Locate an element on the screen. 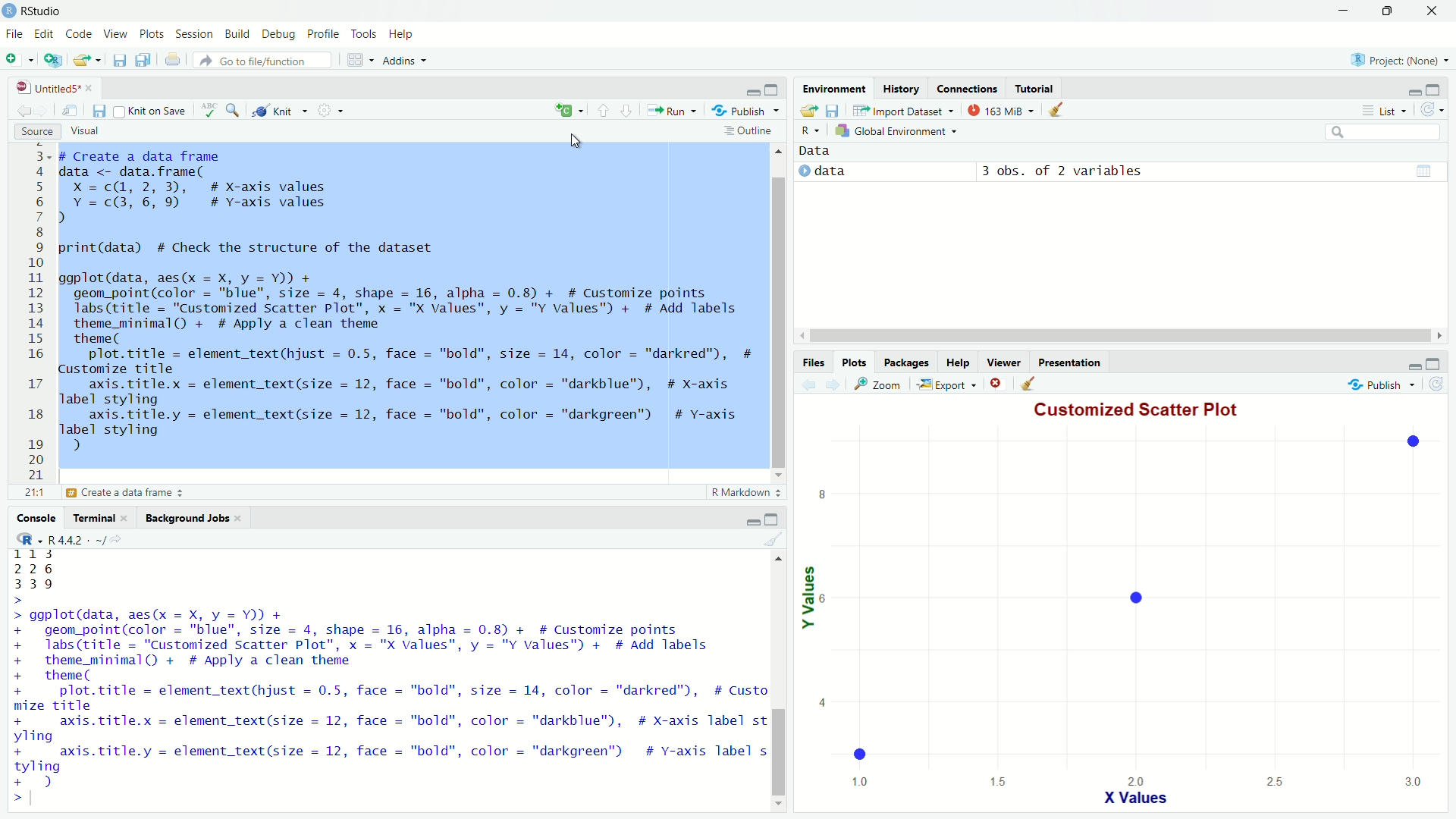 The height and width of the screenshot is (819, 1456). Maximize is located at coordinates (1389, 9).